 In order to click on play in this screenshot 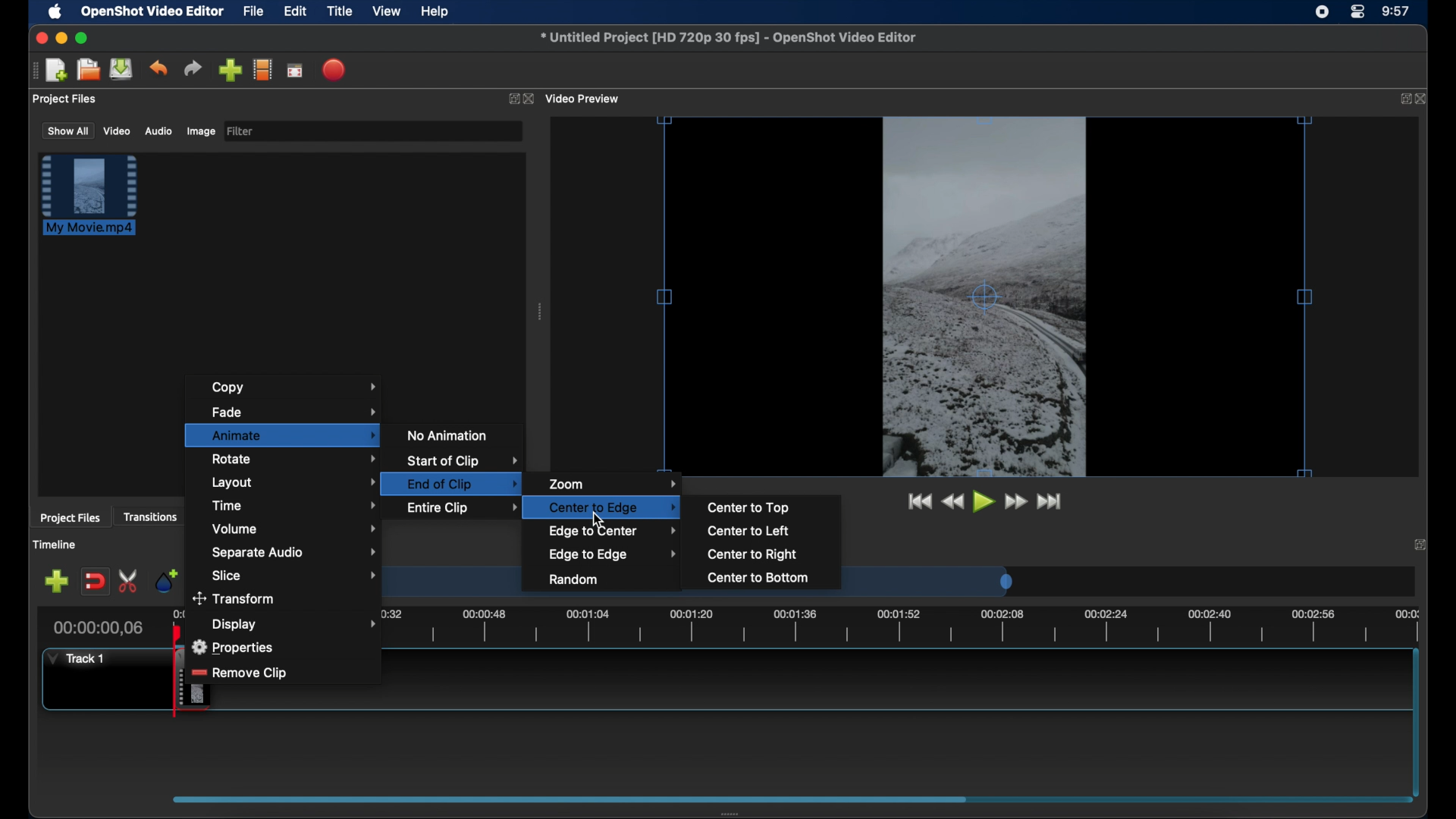, I will do `click(984, 502)`.